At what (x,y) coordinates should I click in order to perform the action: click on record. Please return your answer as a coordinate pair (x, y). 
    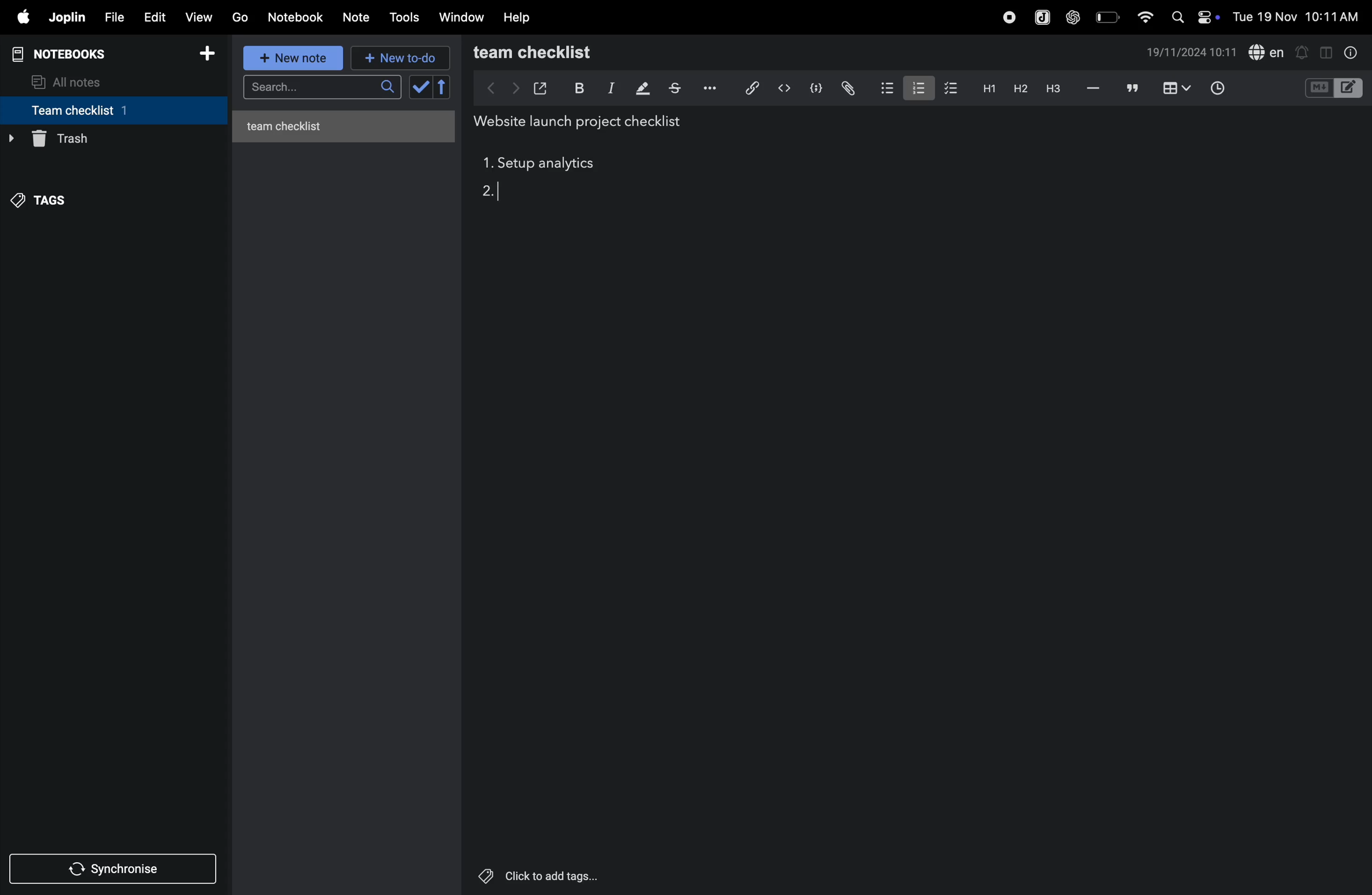
    Looking at the image, I should click on (1005, 17).